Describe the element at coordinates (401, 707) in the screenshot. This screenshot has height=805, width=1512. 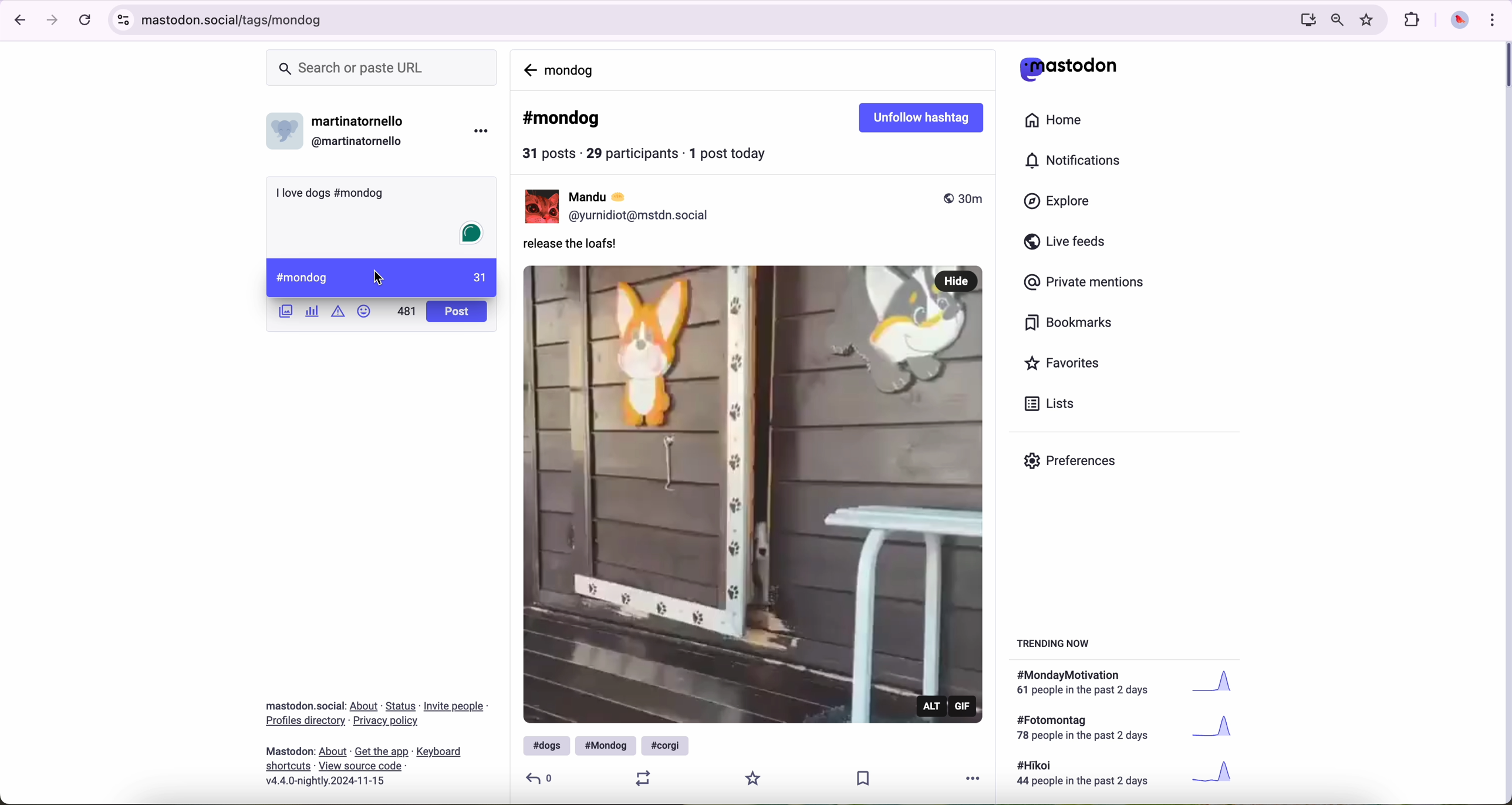
I see `link` at that location.